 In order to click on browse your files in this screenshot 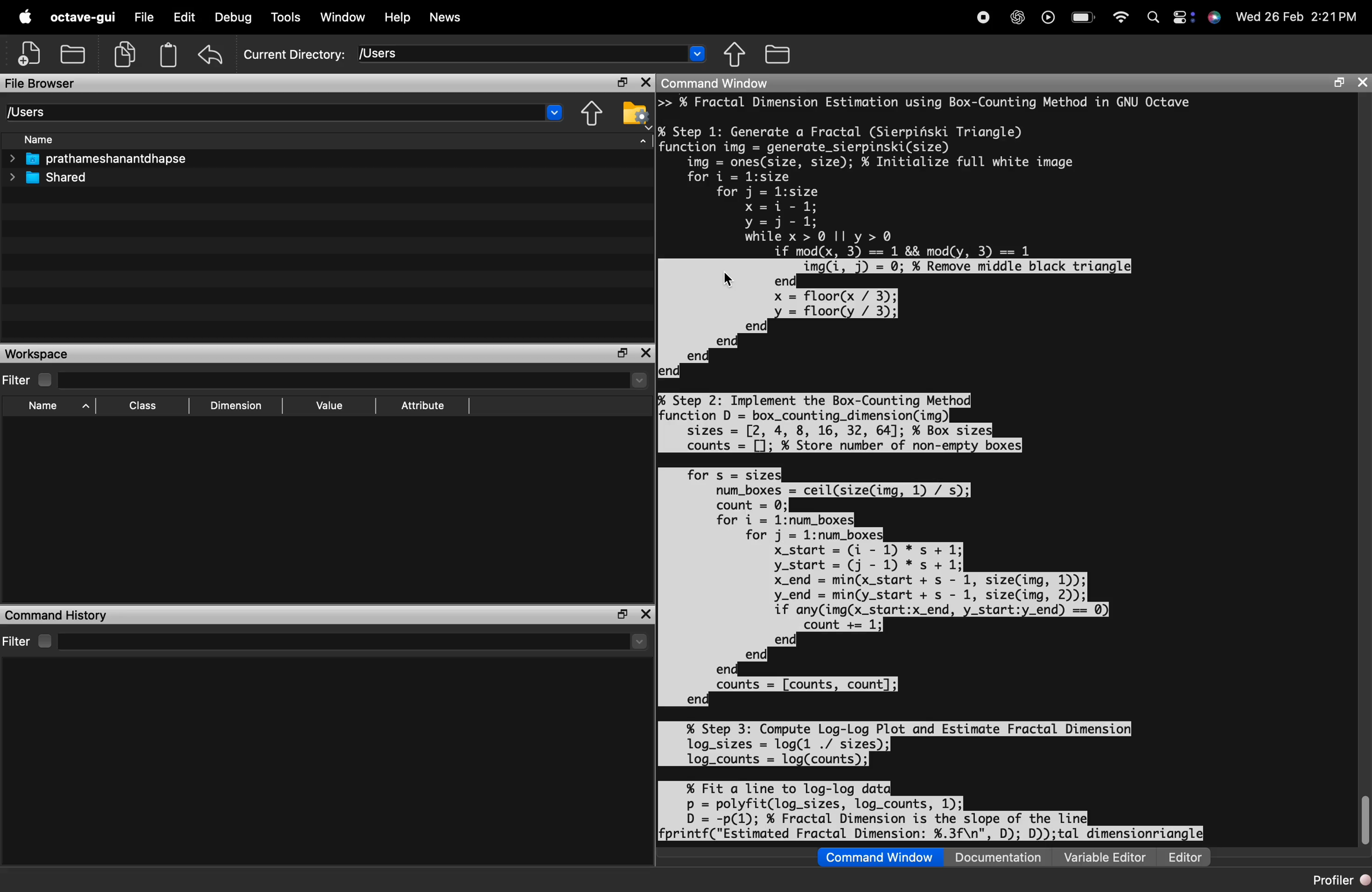, I will do `click(635, 114)`.